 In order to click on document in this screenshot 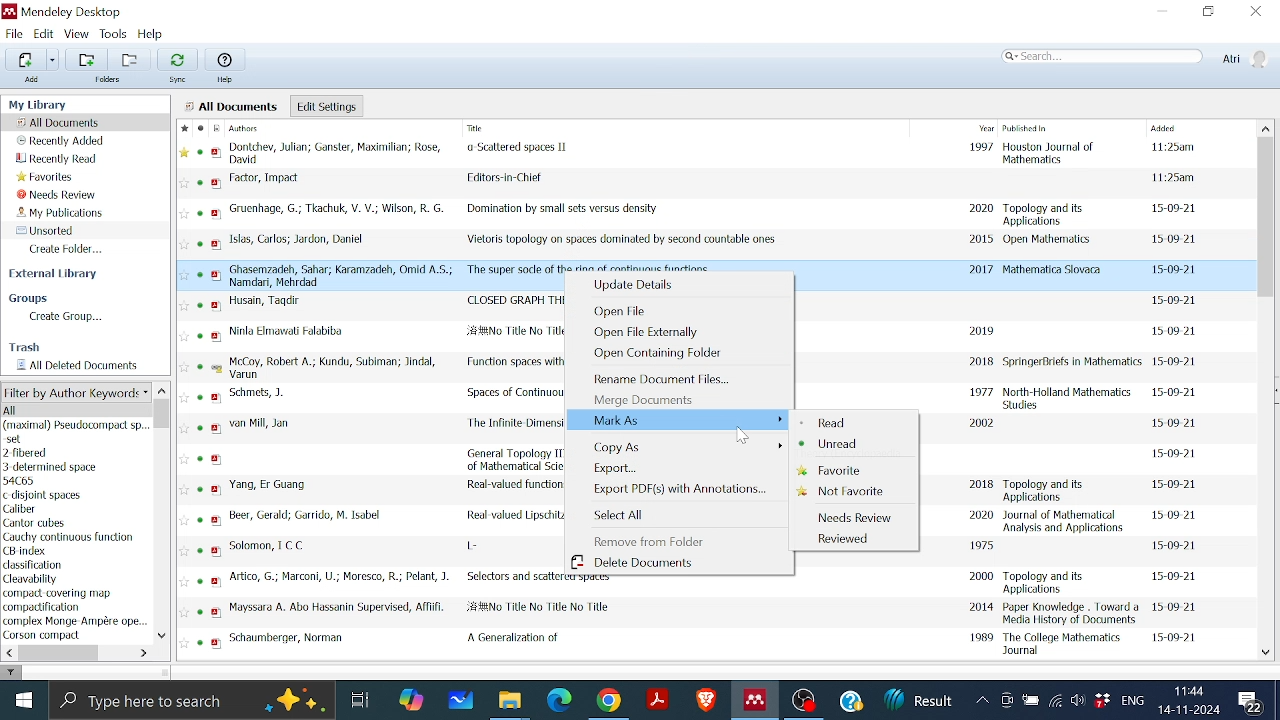, I will do `click(1085, 548)`.